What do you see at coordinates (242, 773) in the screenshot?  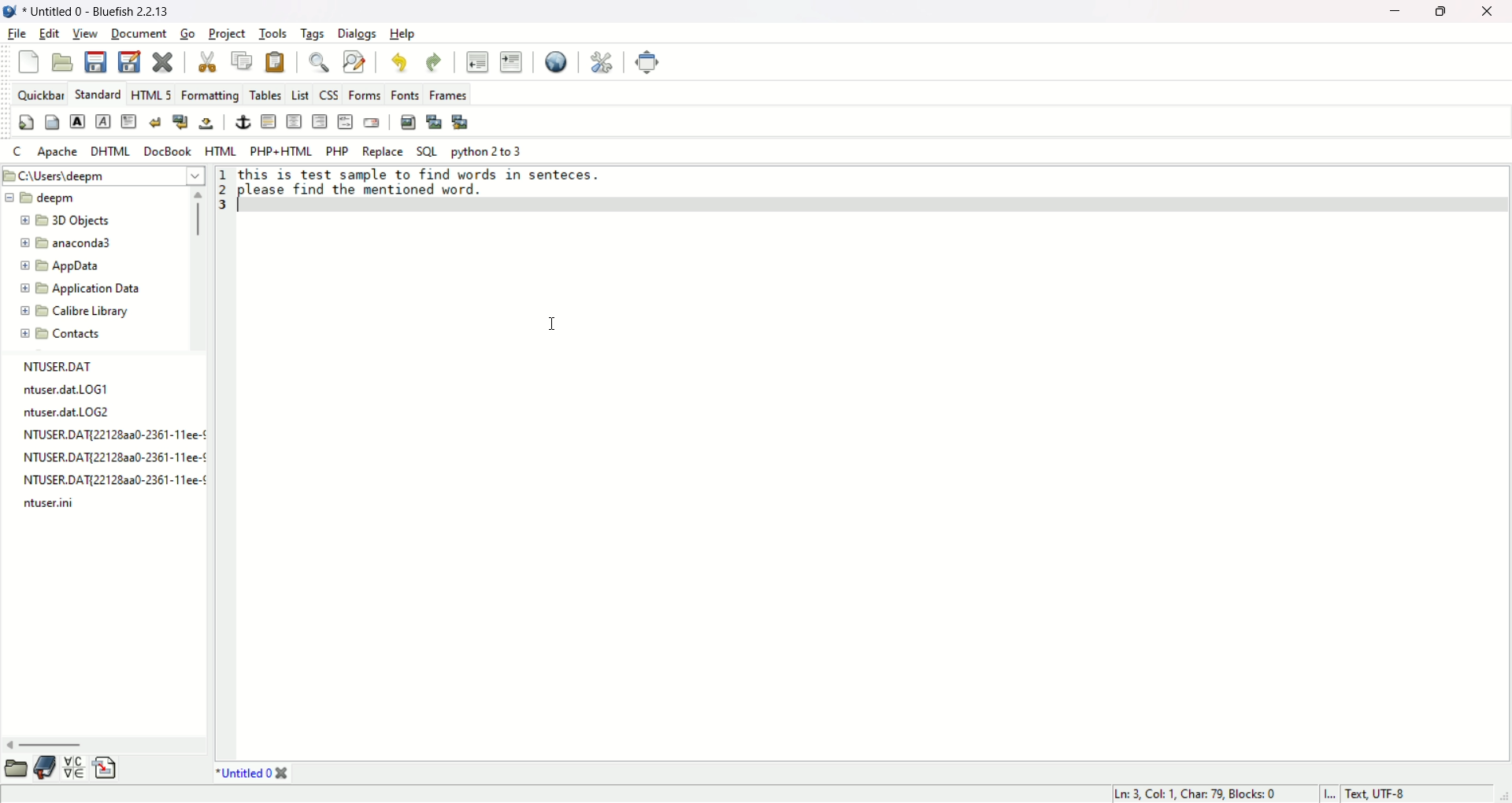 I see `current tab` at bounding box center [242, 773].